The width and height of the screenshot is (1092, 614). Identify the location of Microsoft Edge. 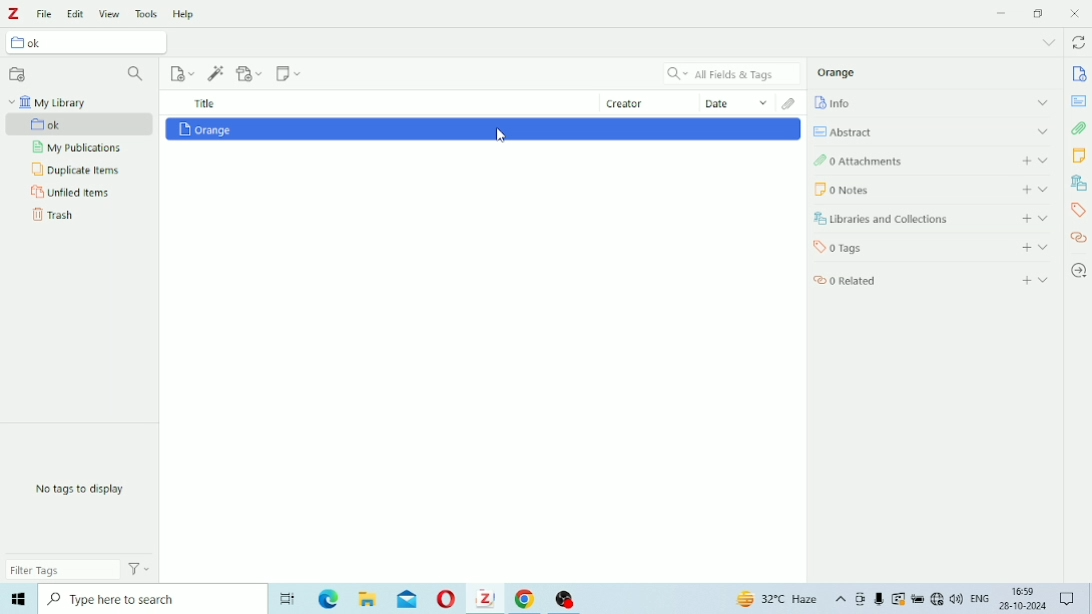
(330, 600).